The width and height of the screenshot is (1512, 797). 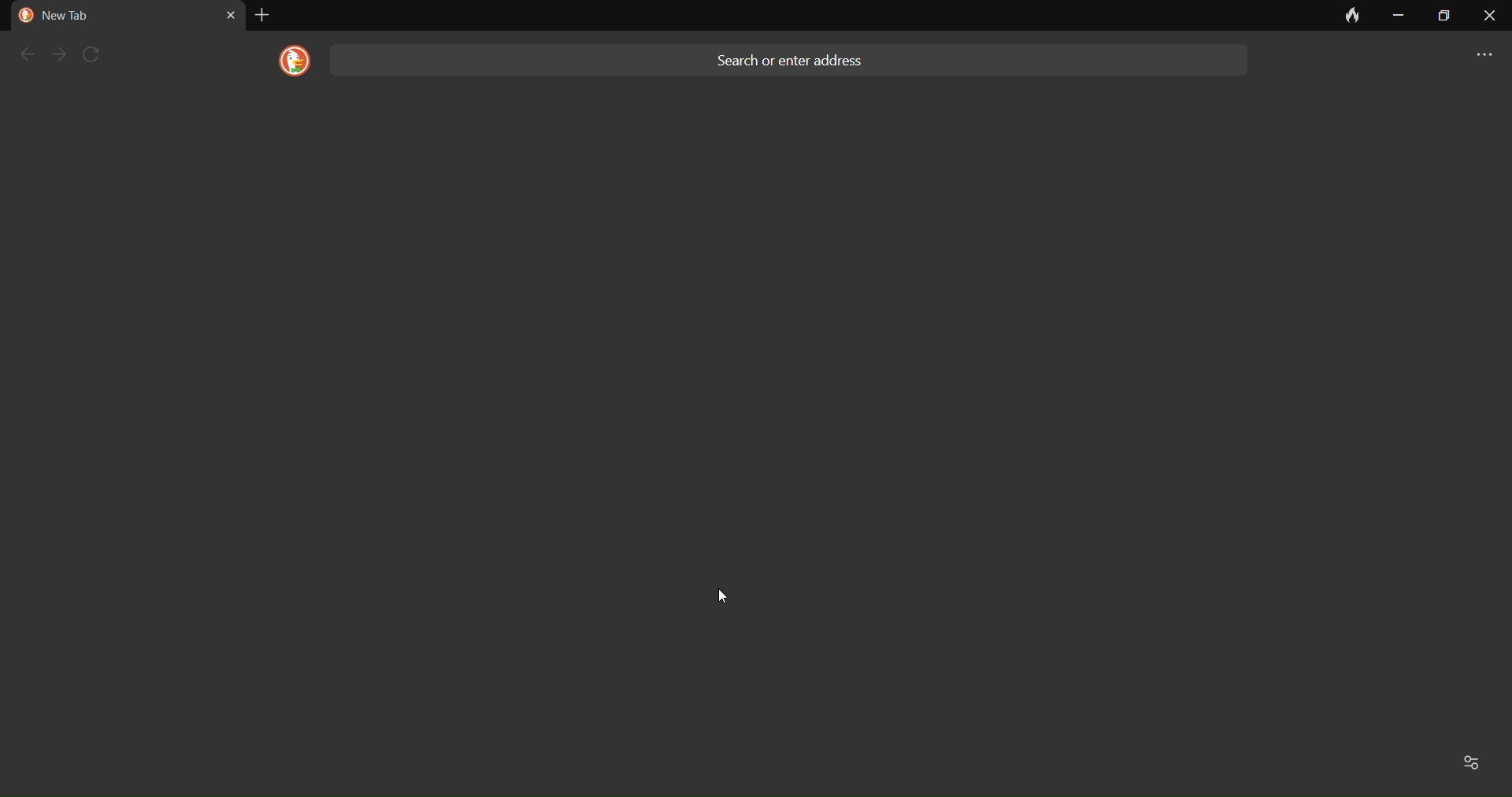 What do you see at coordinates (795, 57) in the screenshot?
I see `Search or enter address` at bounding box center [795, 57].